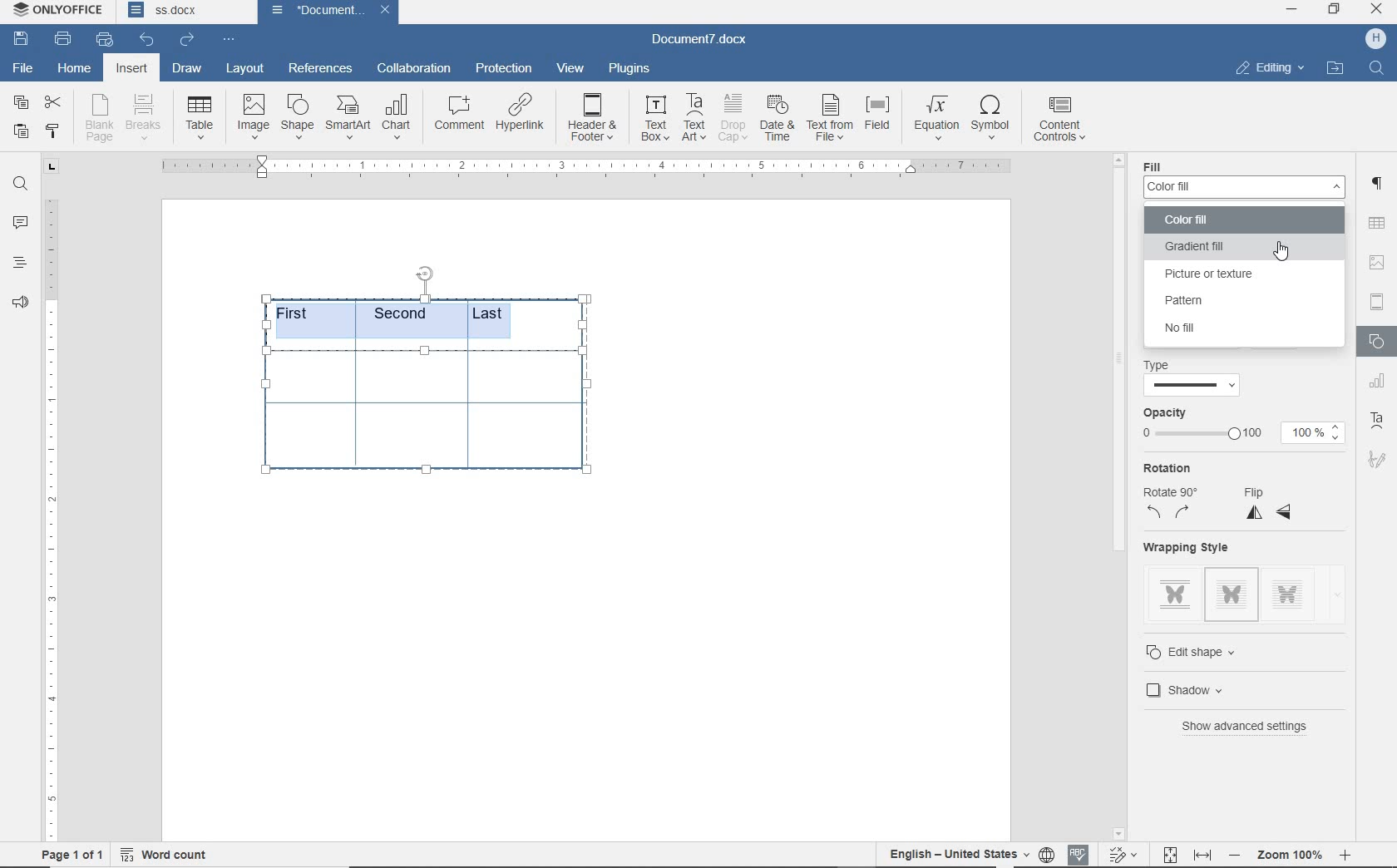 The height and width of the screenshot is (868, 1397). Describe the element at coordinates (20, 104) in the screenshot. I see `copy` at that location.